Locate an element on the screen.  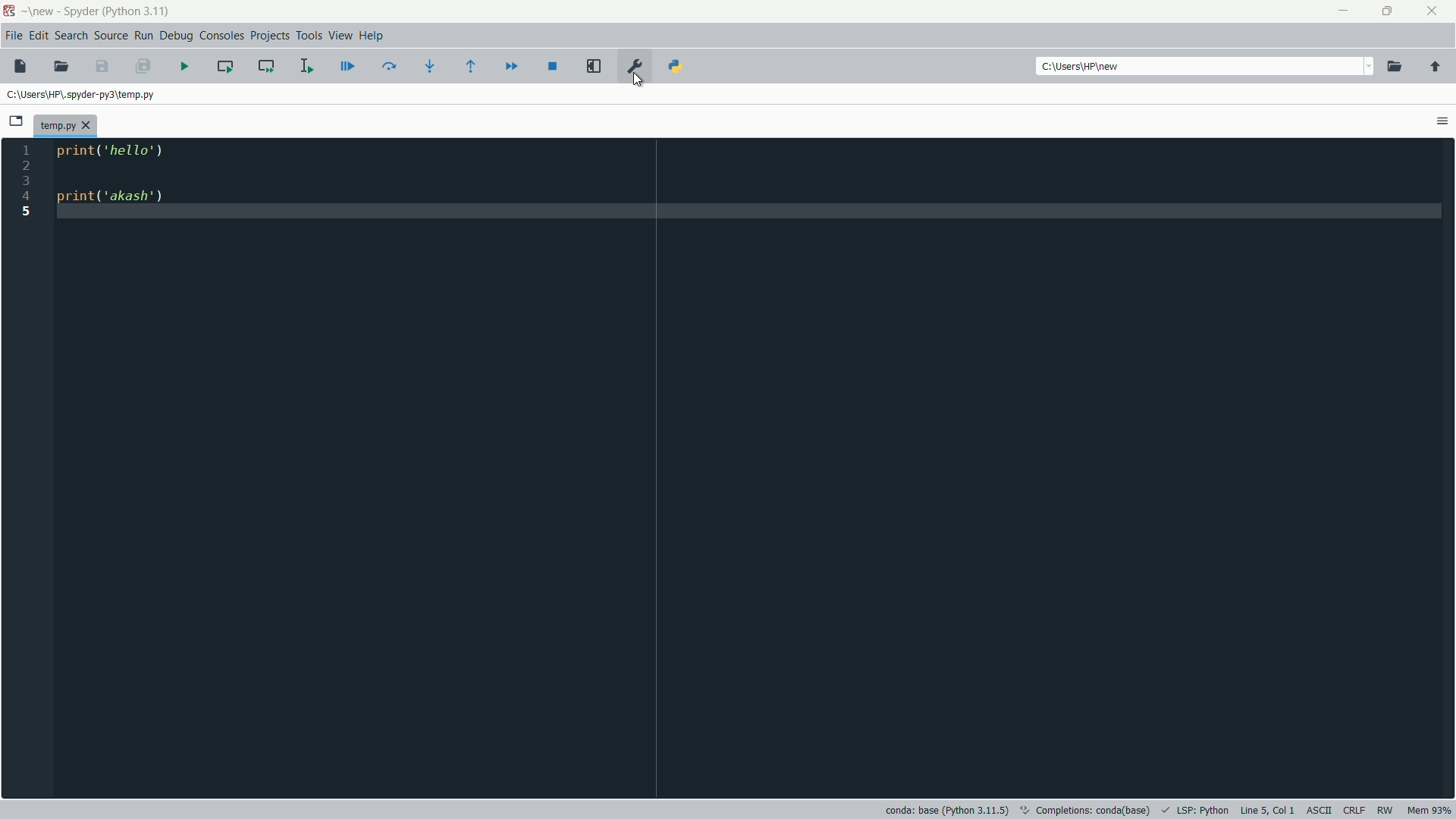
app icon is located at coordinates (9, 11).